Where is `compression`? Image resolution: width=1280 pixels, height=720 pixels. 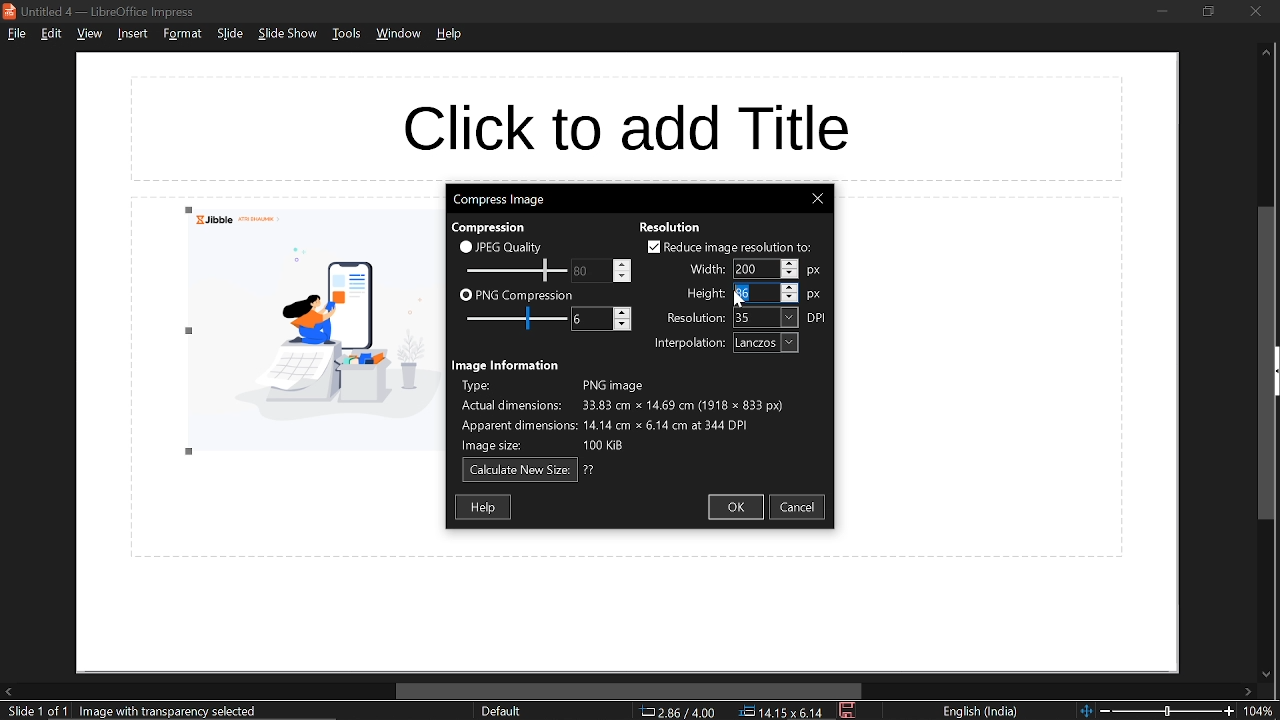
compression is located at coordinates (487, 228).